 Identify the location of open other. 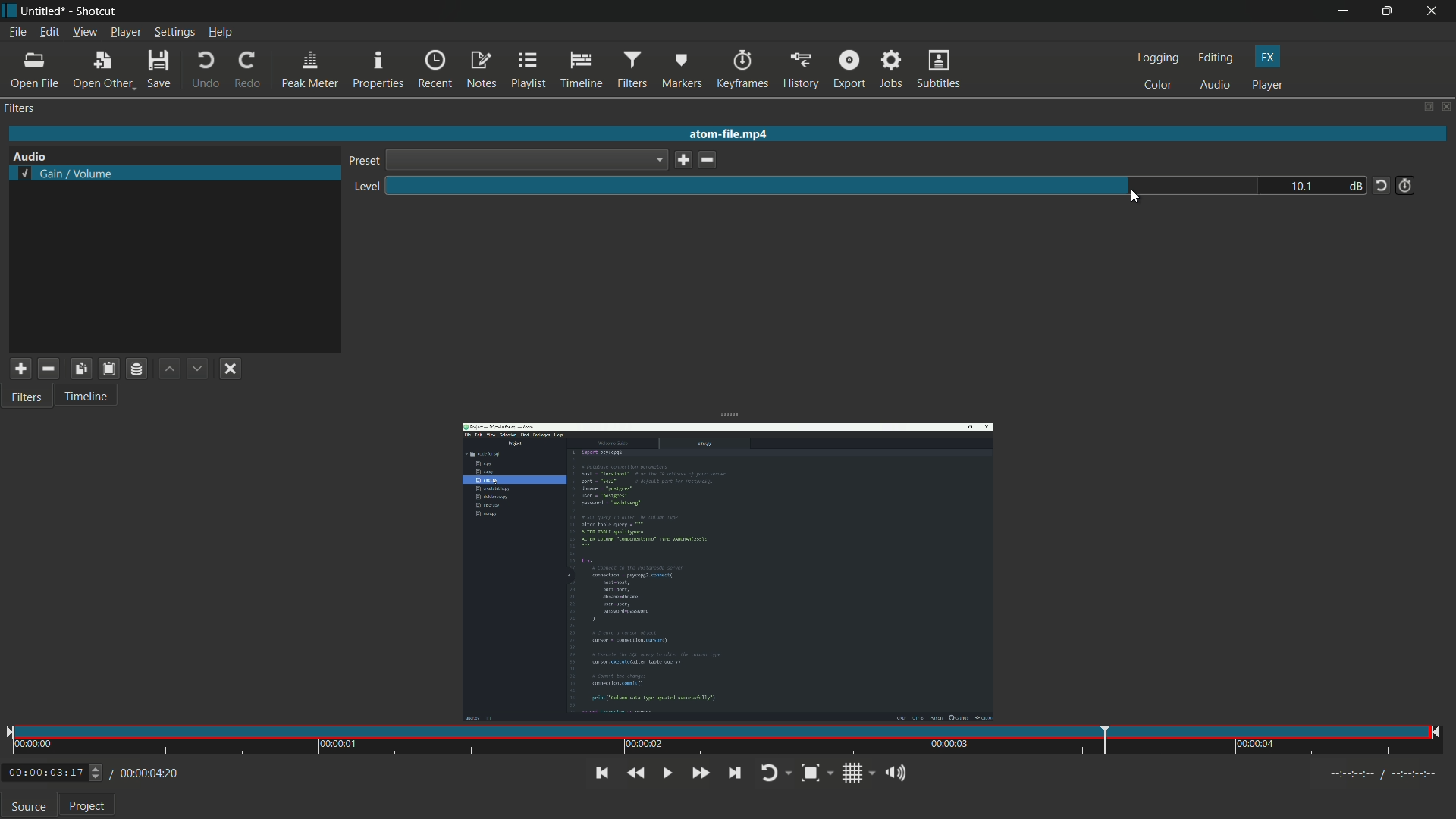
(102, 71).